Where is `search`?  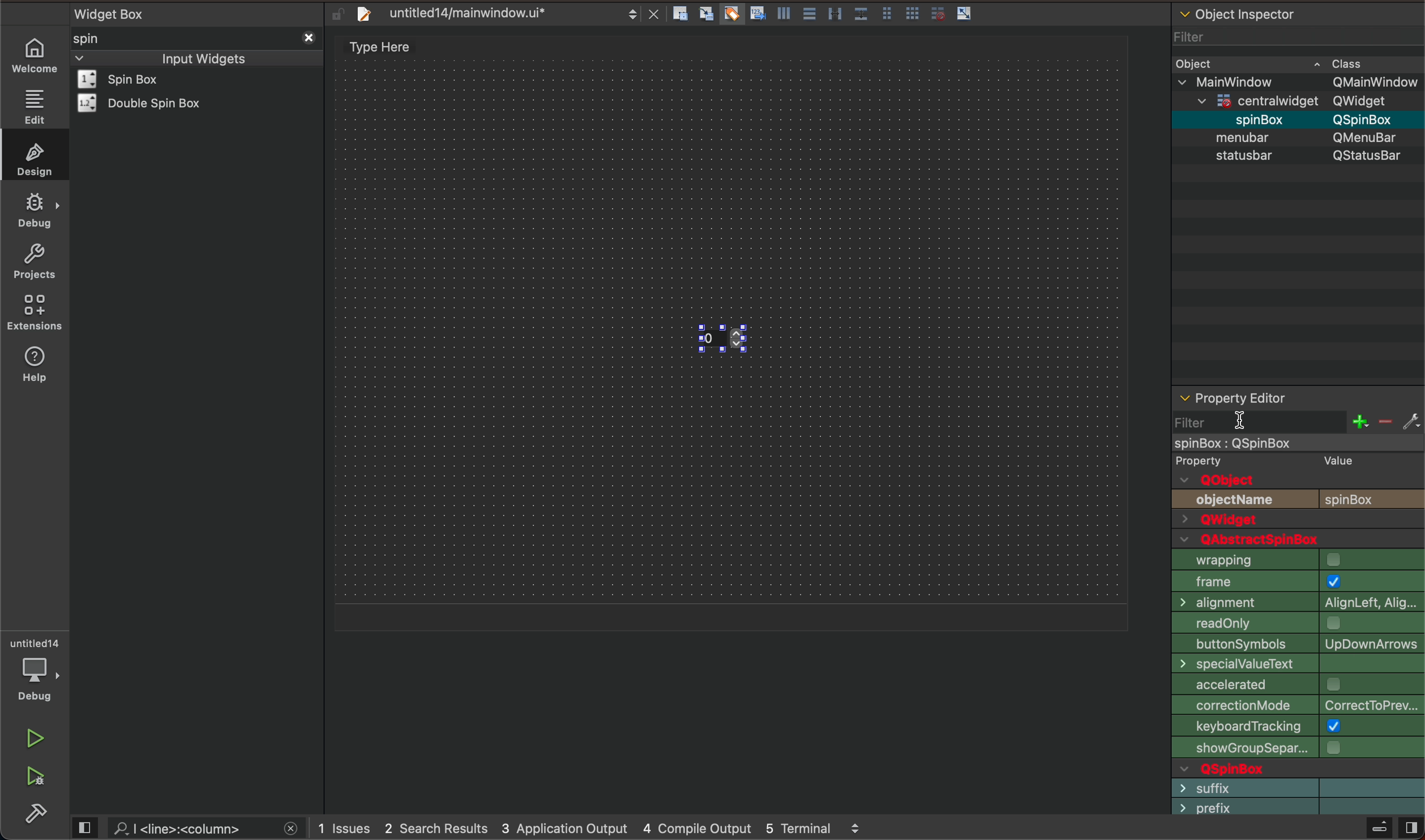
search is located at coordinates (191, 828).